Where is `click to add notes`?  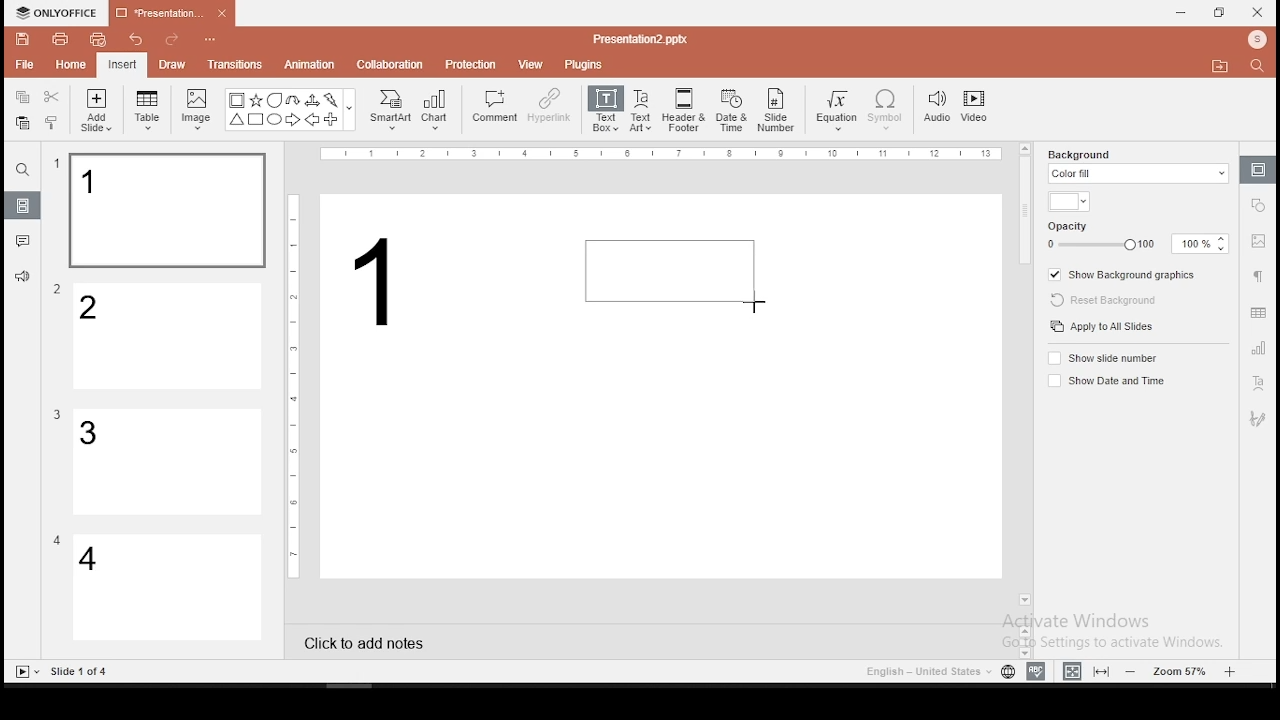 click to add notes is located at coordinates (370, 641).